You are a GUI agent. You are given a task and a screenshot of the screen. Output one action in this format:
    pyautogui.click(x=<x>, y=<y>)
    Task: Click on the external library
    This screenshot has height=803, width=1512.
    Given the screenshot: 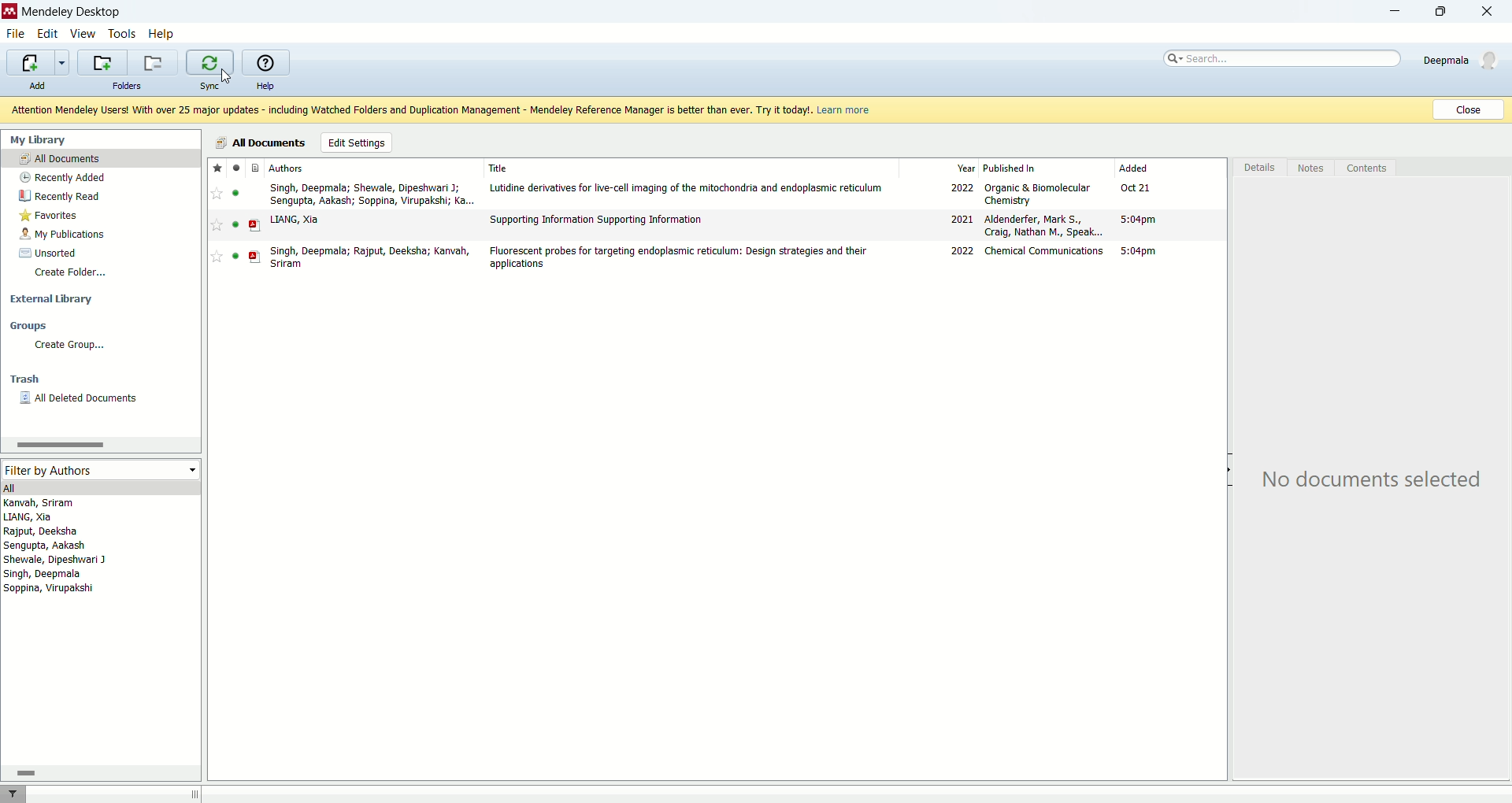 What is the action you would take?
    pyautogui.click(x=54, y=298)
    